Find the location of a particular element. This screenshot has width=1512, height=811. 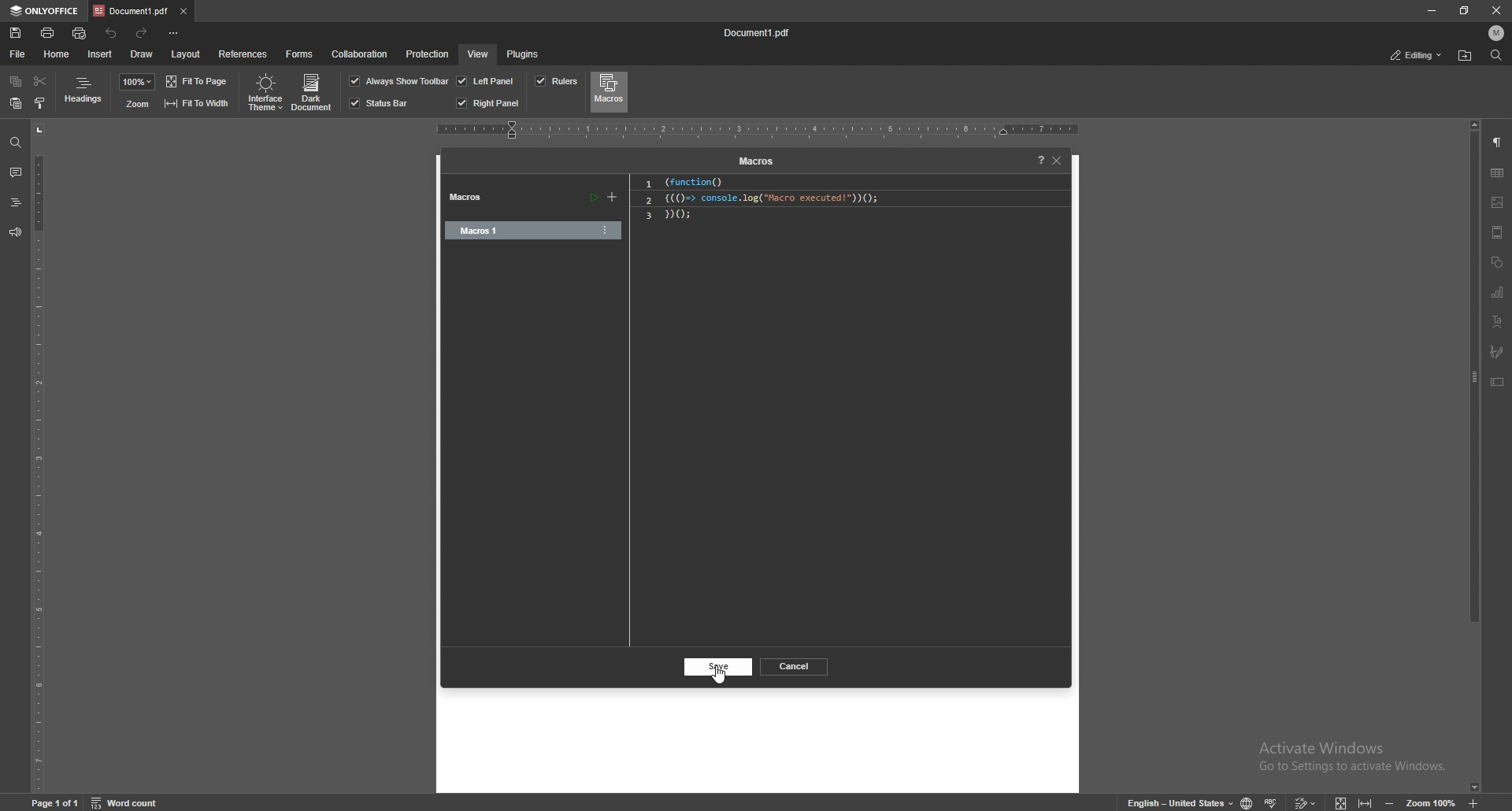

table is located at coordinates (1497, 173).